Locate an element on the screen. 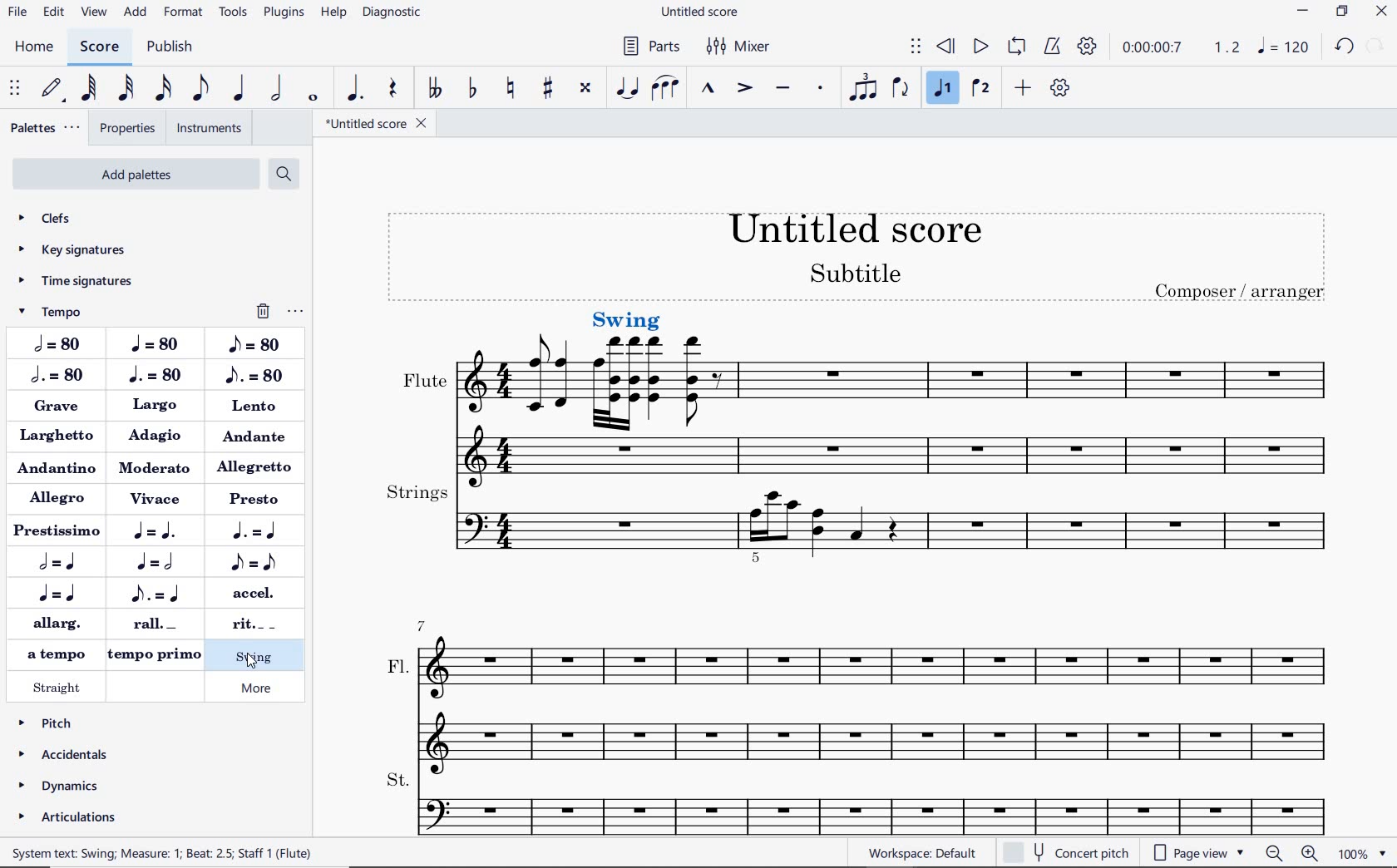 The image size is (1397, 868). REST is located at coordinates (392, 87).